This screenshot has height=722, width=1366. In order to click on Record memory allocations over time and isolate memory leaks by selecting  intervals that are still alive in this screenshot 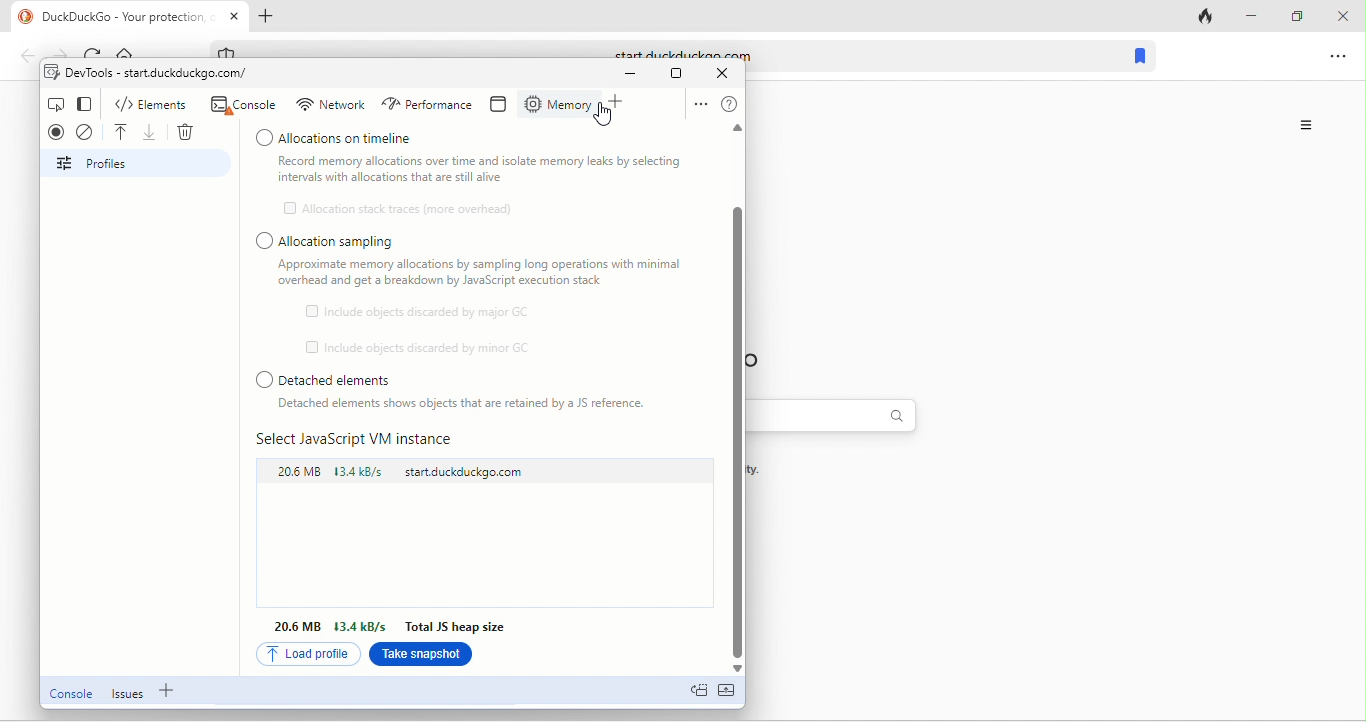, I will do `click(482, 169)`.